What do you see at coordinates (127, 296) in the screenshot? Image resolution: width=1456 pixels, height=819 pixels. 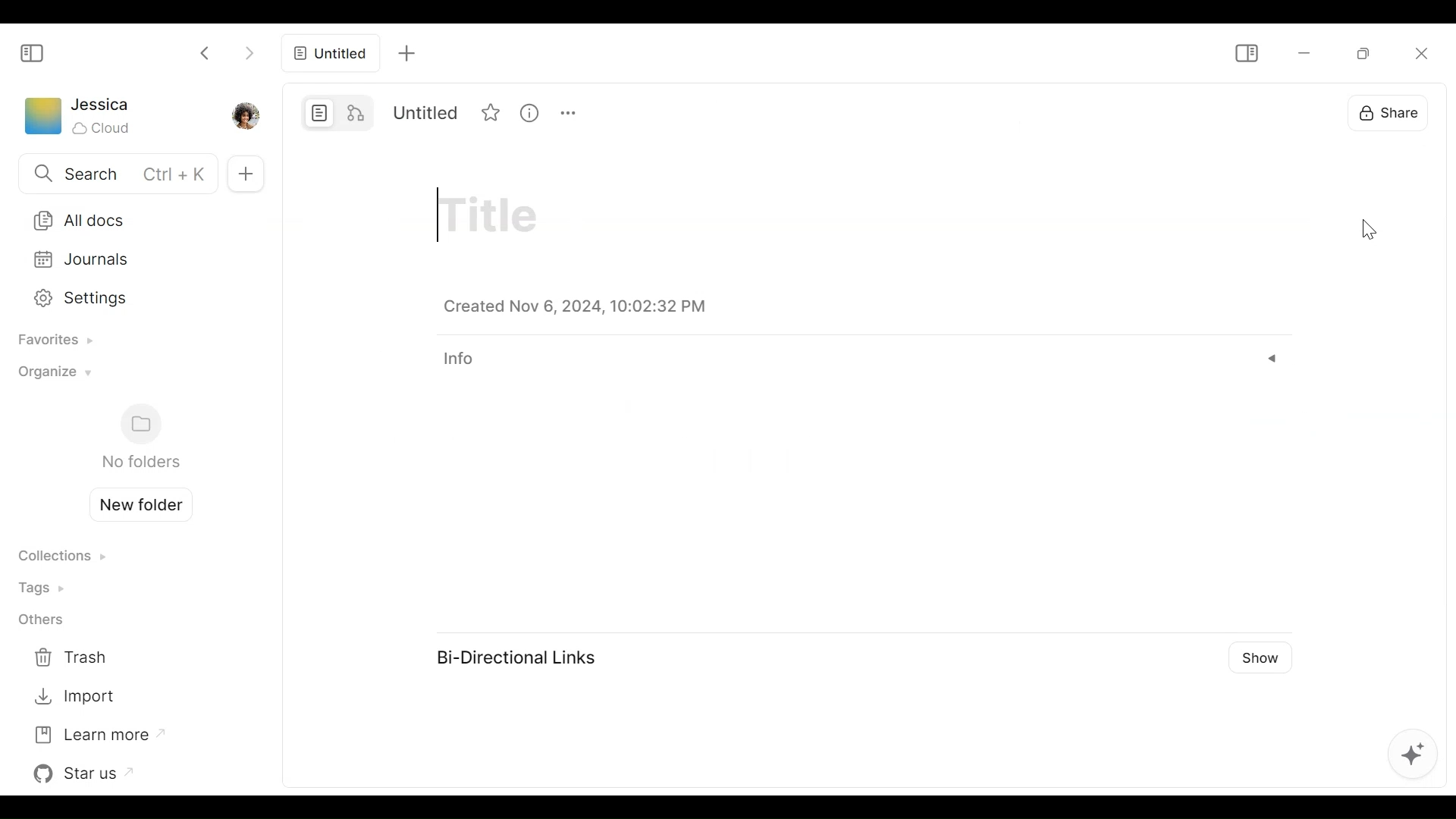 I see `Settings` at bounding box center [127, 296].